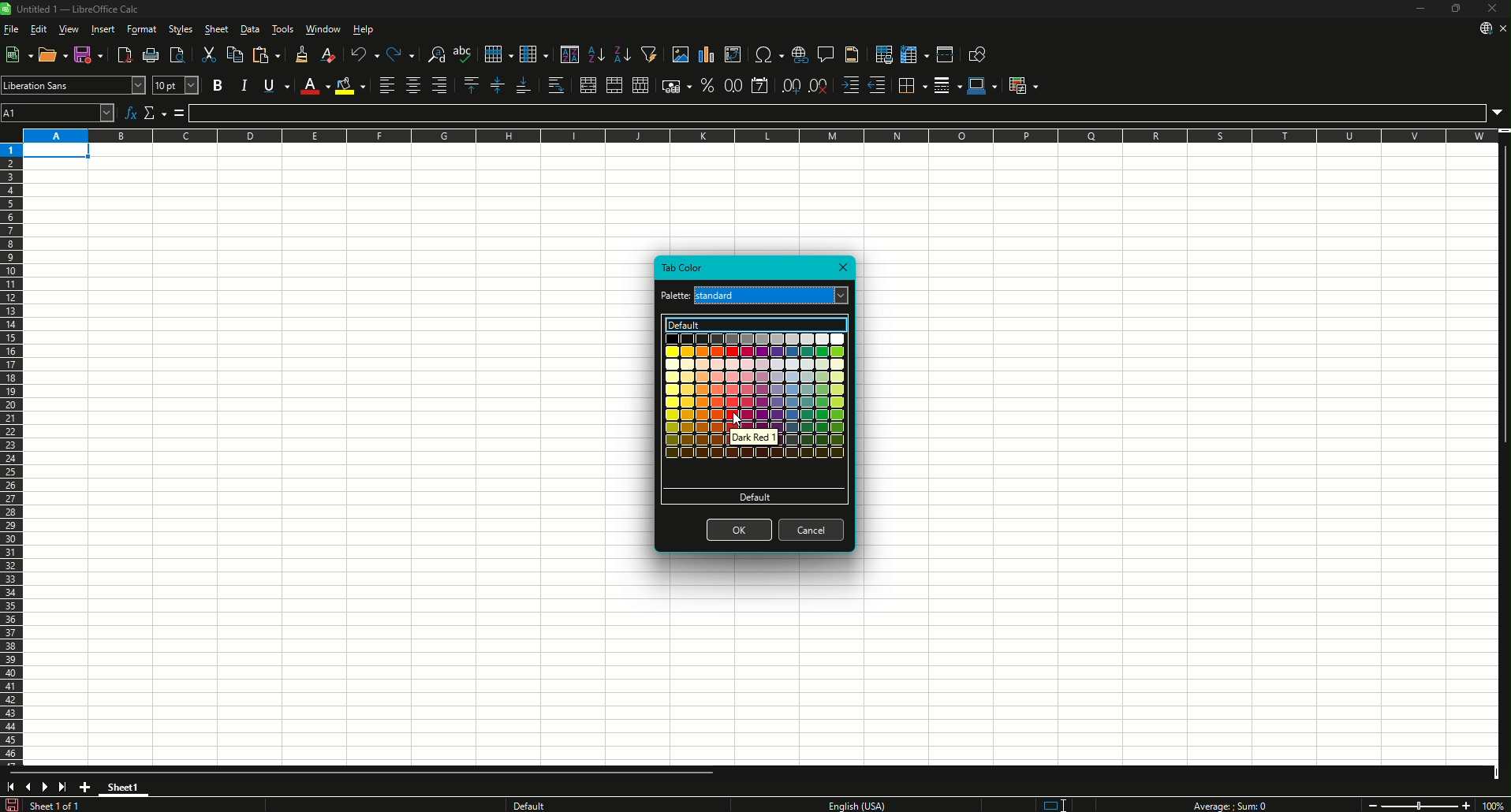  What do you see at coordinates (155, 113) in the screenshot?
I see `Select Function` at bounding box center [155, 113].